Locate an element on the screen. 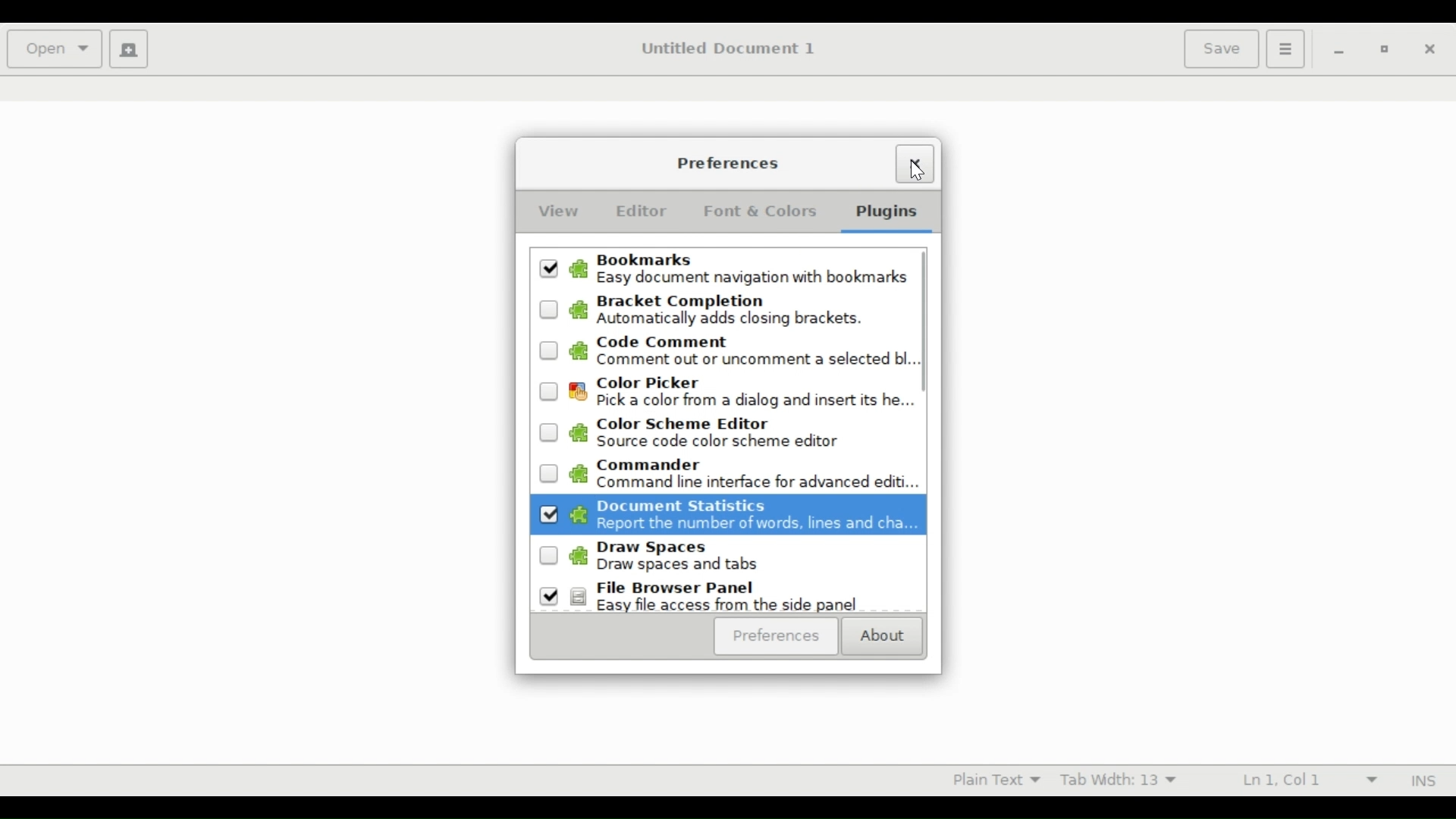 This screenshot has height=819, width=1456. Plain Text is located at coordinates (990, 779).